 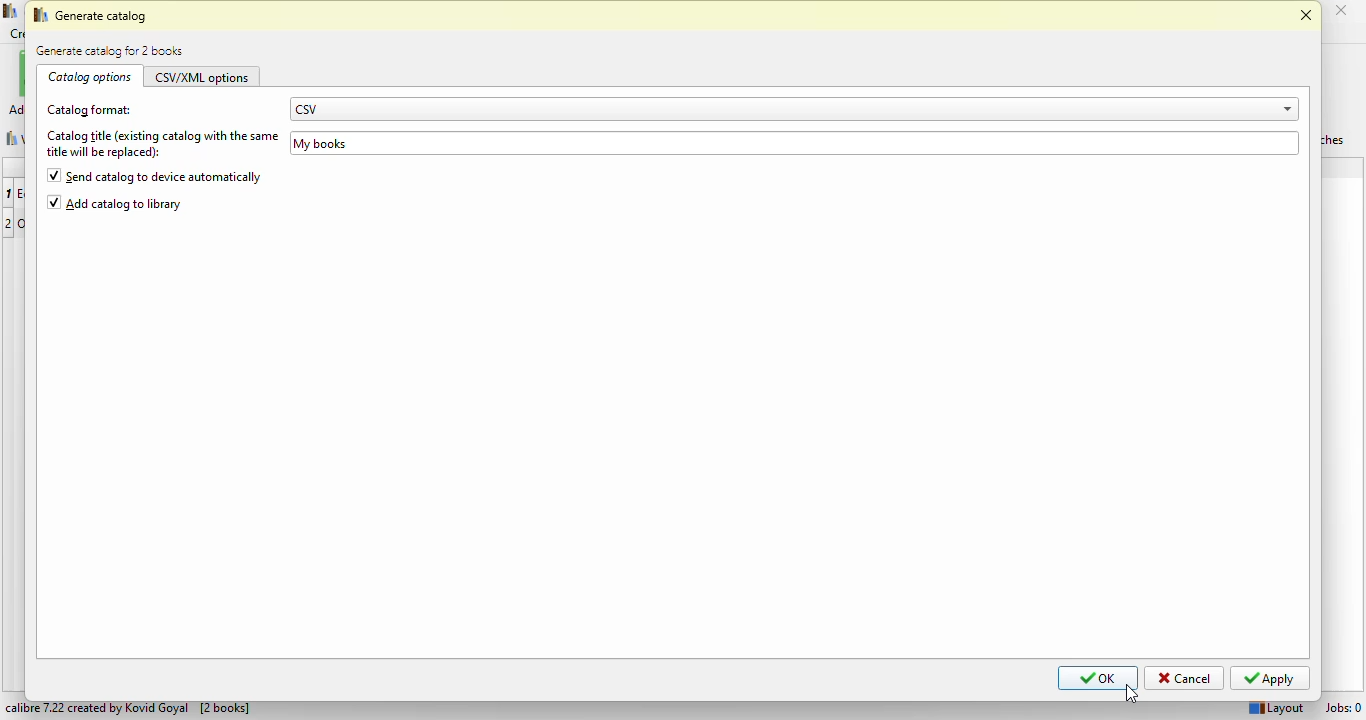 I want to click on send catalog to device automatically, so click(x=154, y=175).